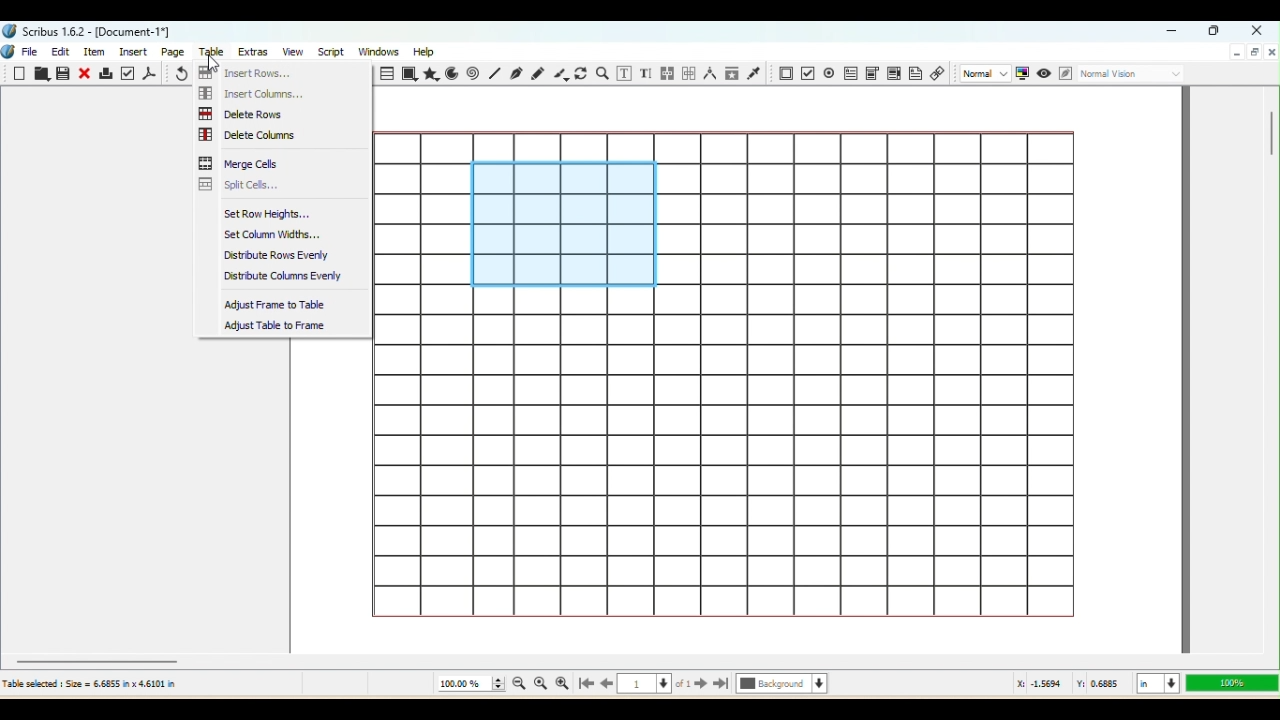  Describe the element at coordinates (385, 74) in the screenshot. I see `Table` at that location.